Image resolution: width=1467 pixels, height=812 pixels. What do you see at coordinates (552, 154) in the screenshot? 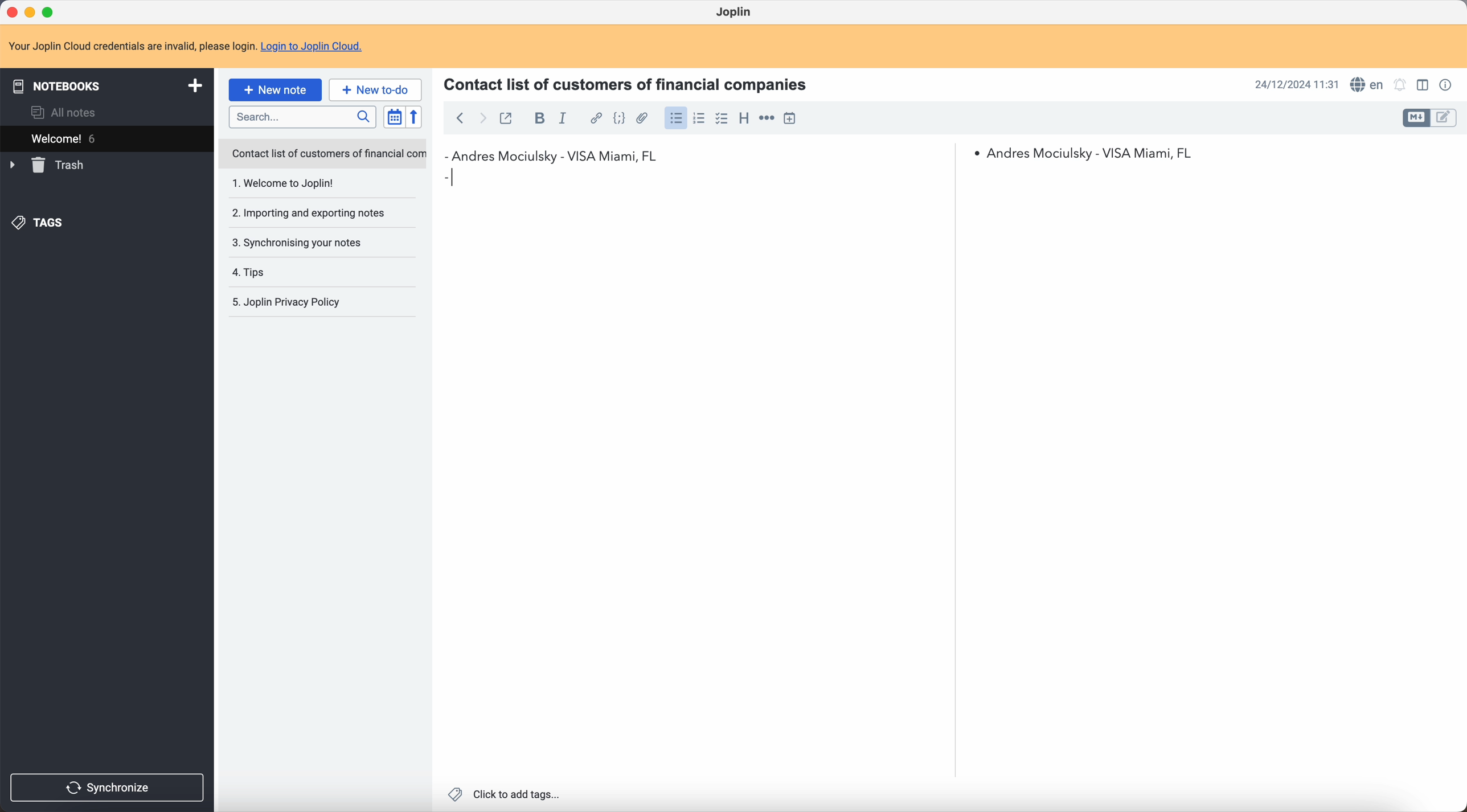
I see `first contact` at bounding box center [552, 154].